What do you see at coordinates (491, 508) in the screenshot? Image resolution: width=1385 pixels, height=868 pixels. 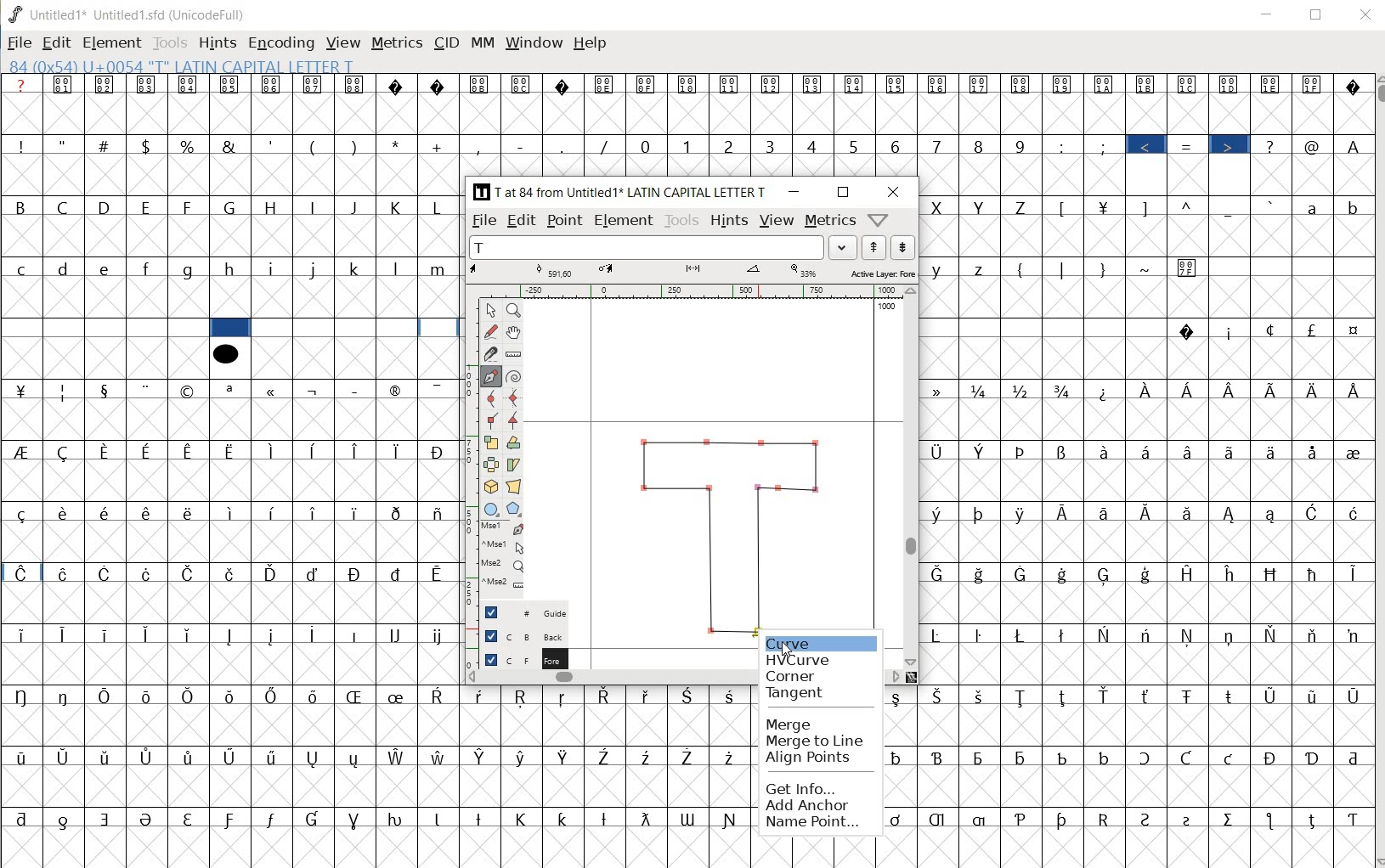 I see `rectangle/ellipse` at bounding box center [491, 508].